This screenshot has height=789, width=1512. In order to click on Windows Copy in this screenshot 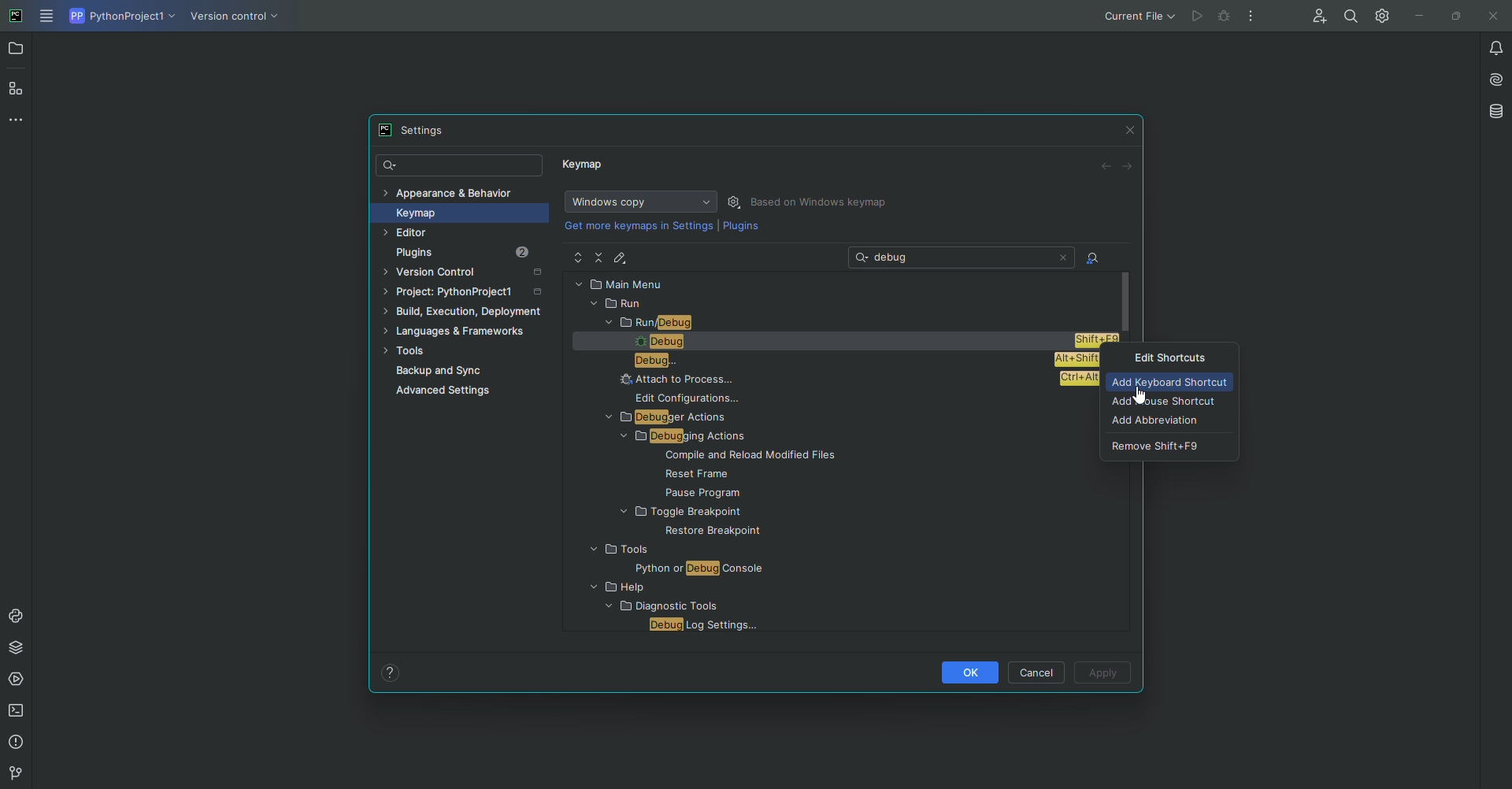, I will do `click(638, 202)`.